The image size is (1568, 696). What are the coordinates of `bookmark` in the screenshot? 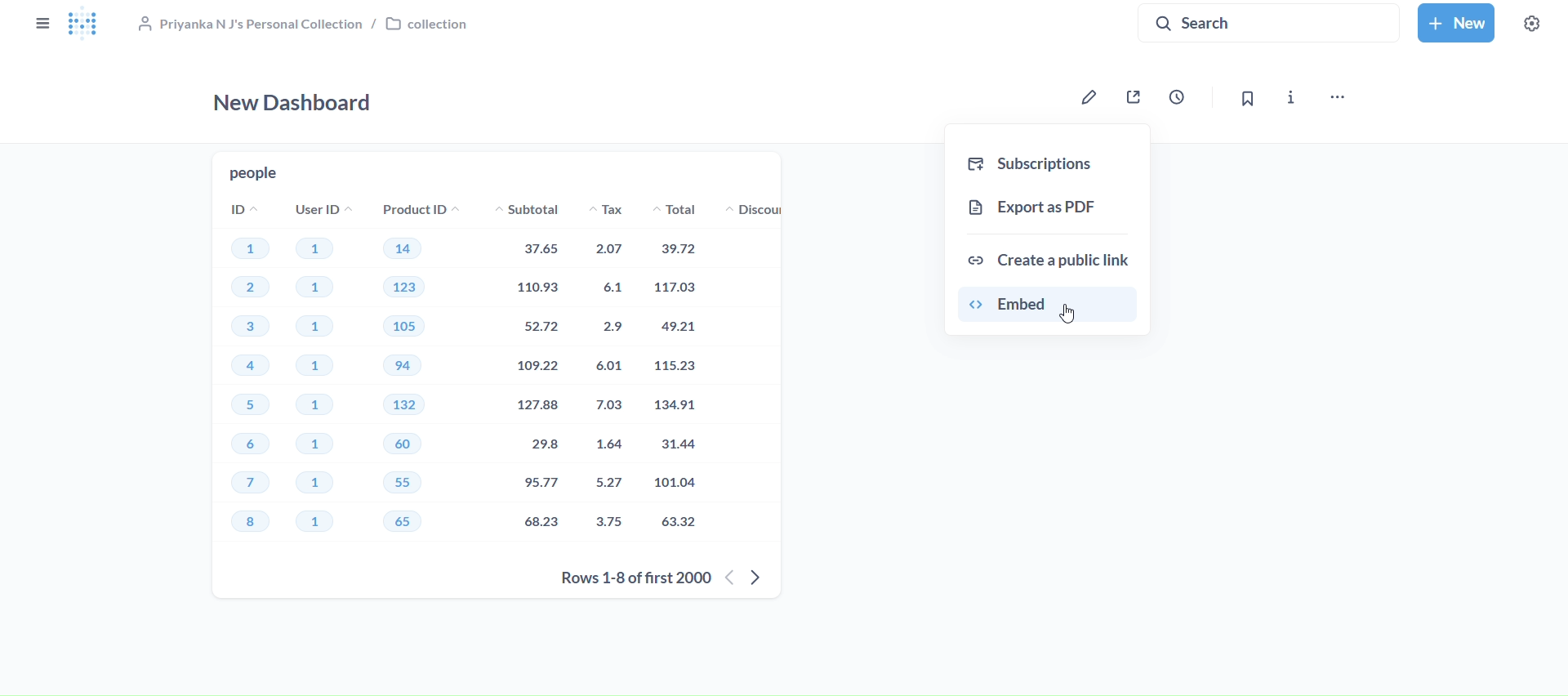 It's located at (1245, 100).